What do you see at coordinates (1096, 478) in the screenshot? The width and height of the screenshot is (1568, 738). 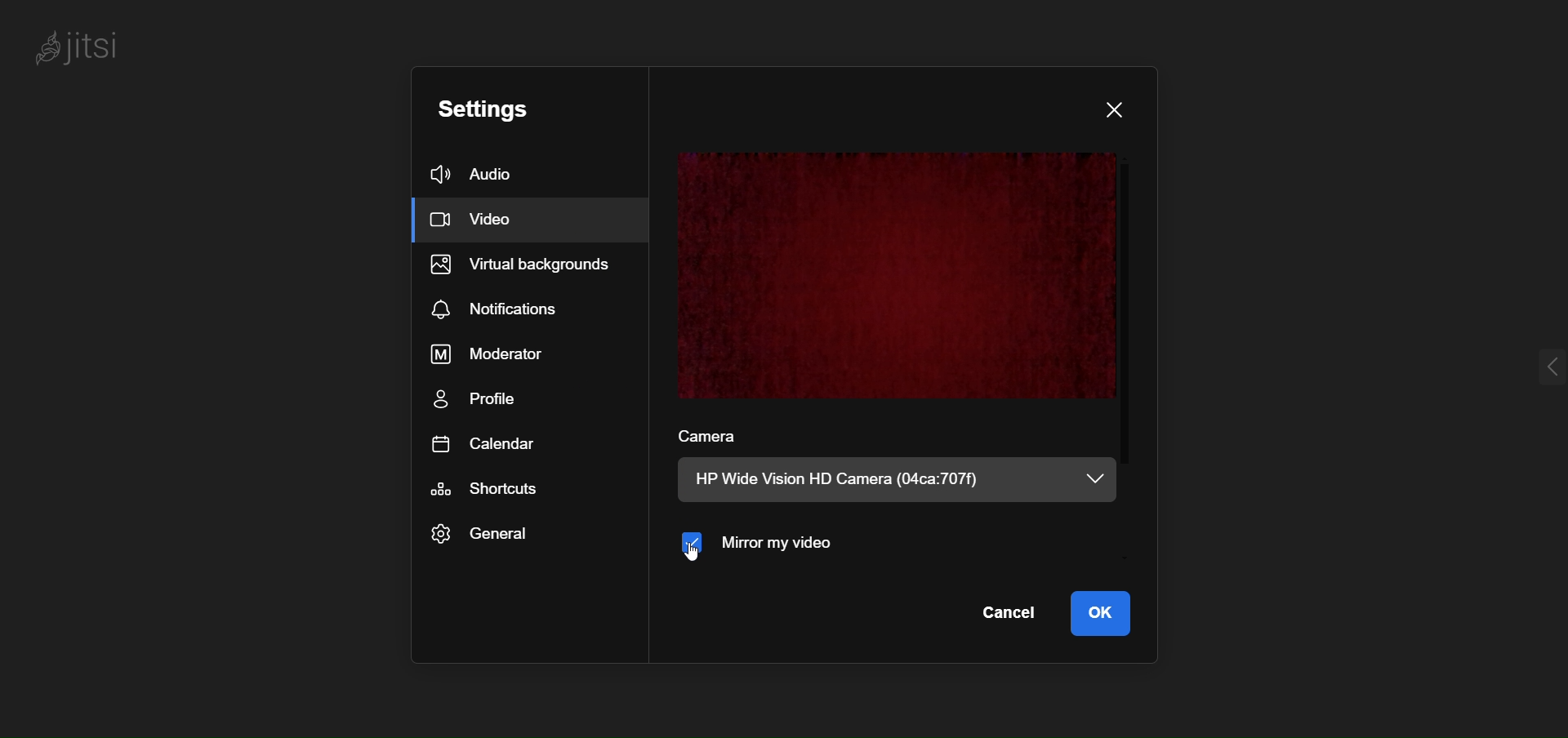 I see `dropdown` at bounding box center [1096, 478].